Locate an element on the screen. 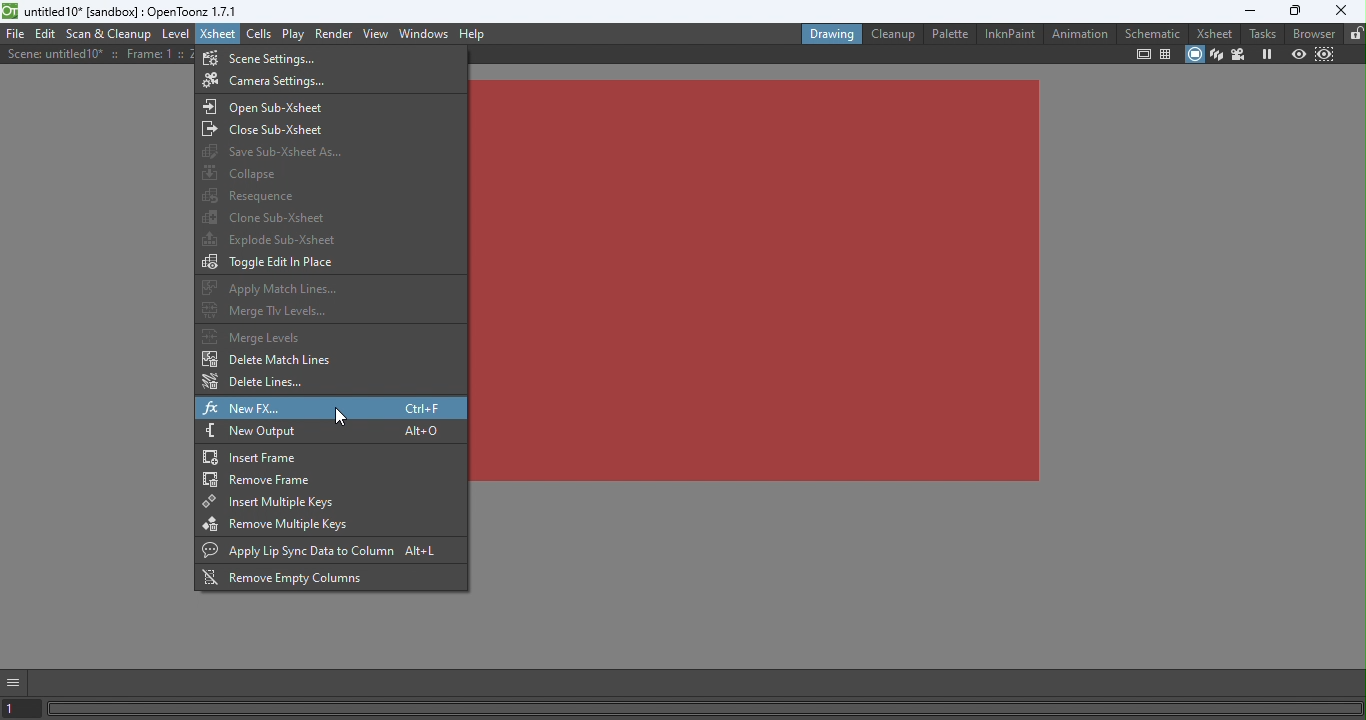 The image size is (1366, 720). Edit is located at coordinates (47, 35).